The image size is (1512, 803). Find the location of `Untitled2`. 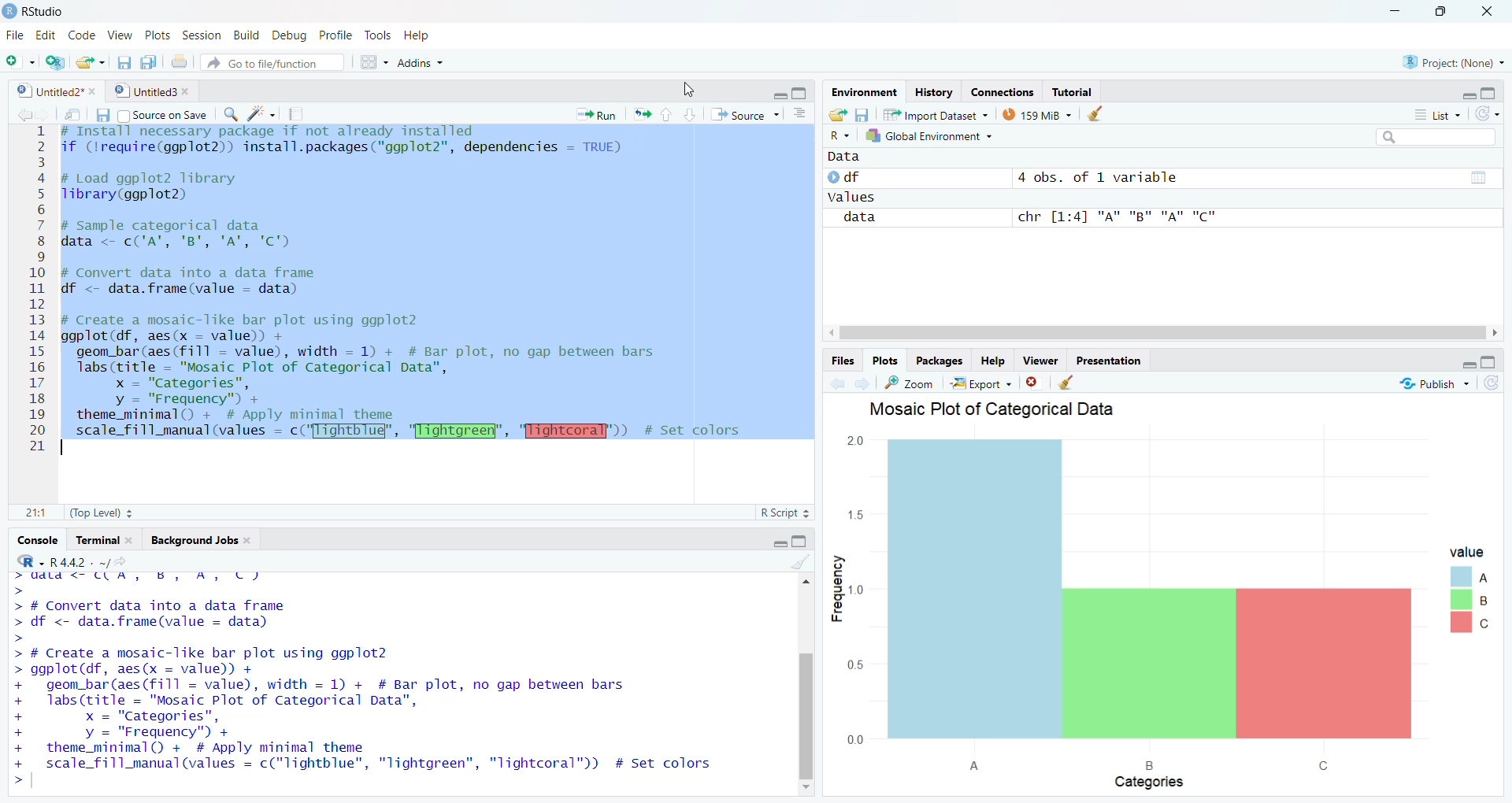

Untitled2 is located at coordinates (57, 92).